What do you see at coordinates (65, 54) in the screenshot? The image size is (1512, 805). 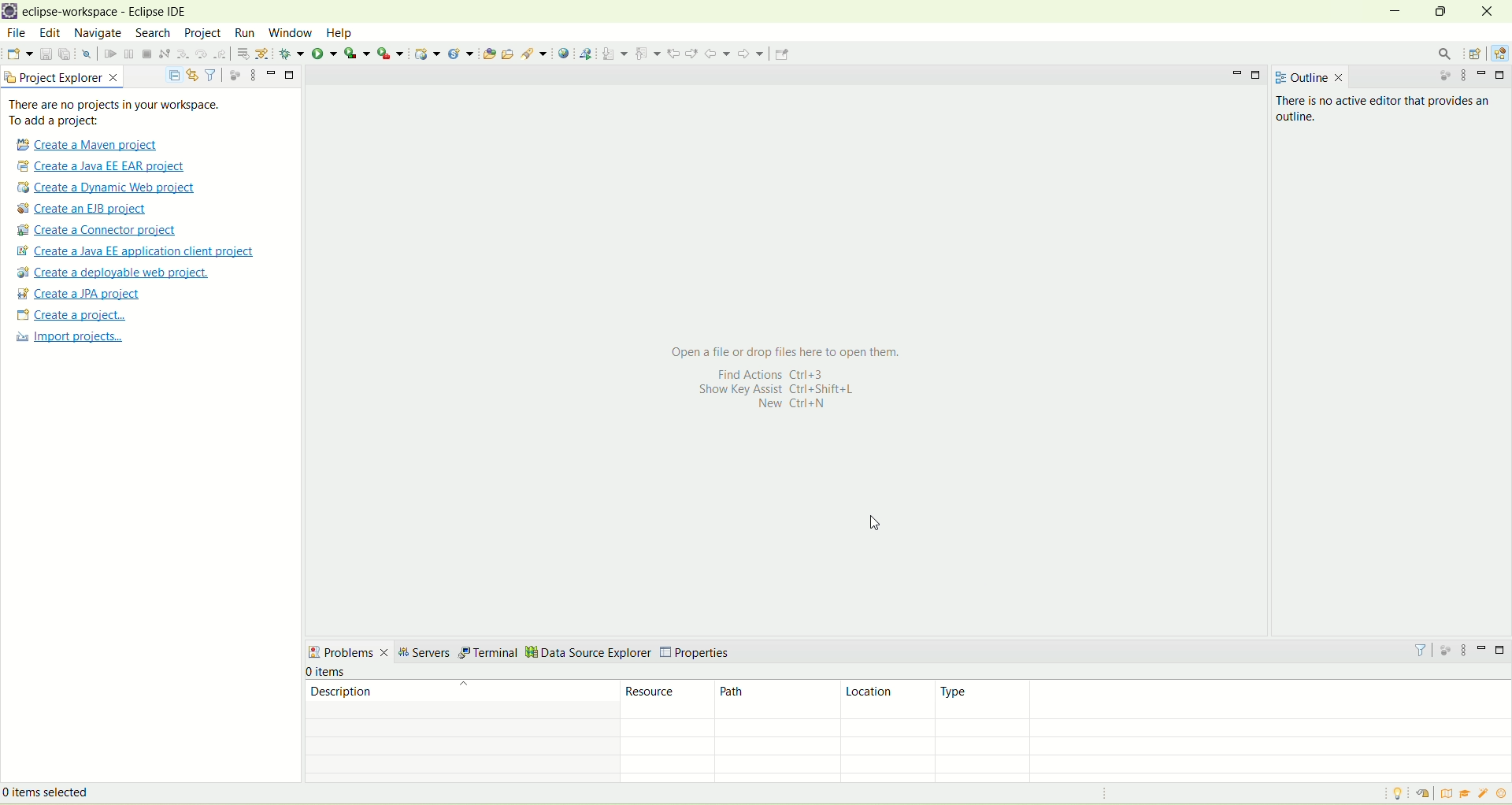 I see `save all` at bounding box center [65, 54].